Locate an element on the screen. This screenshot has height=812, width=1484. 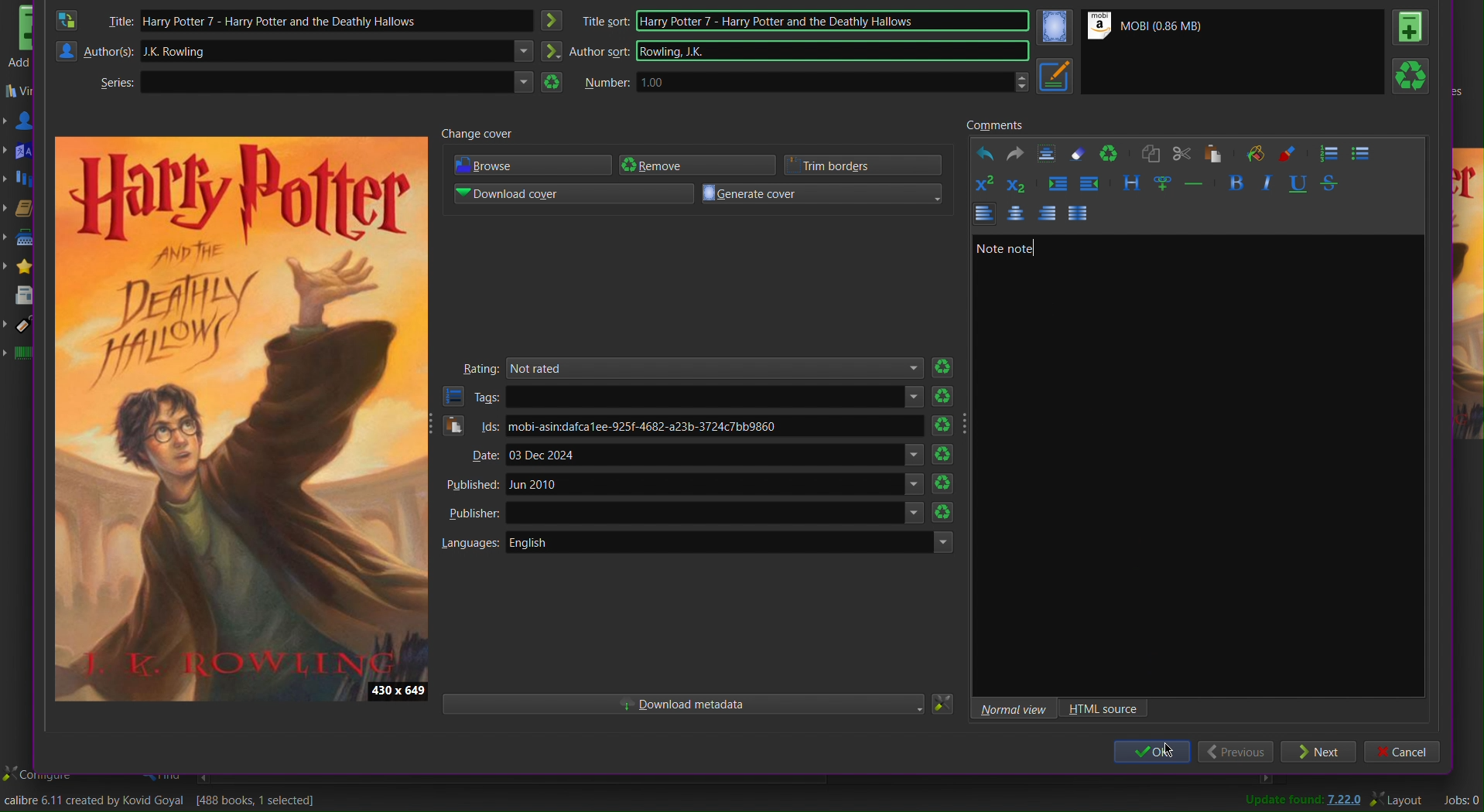
Text area is located at coordinates (357, 81).